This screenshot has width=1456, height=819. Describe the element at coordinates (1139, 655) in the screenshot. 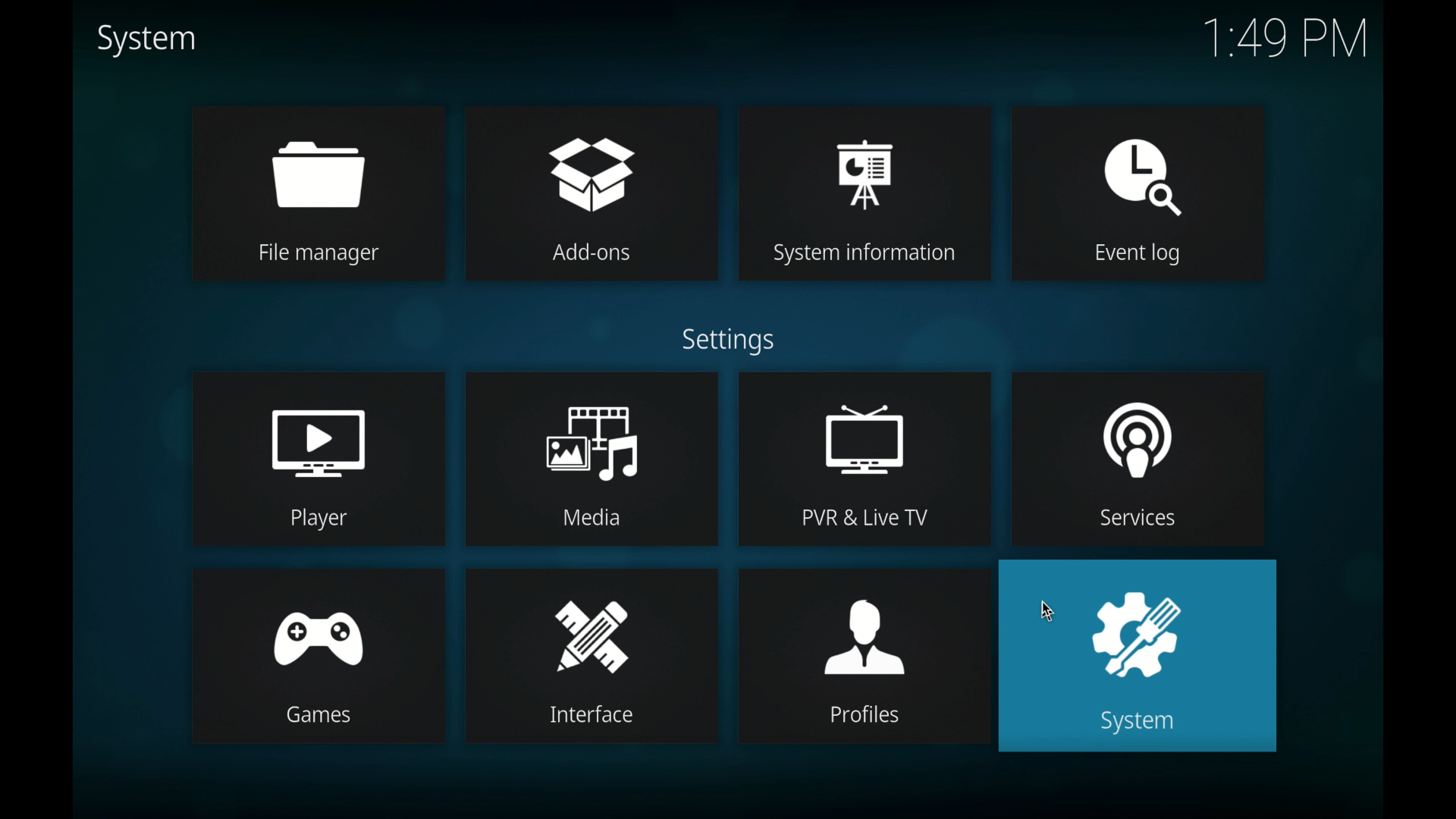

I see `system` at that location.